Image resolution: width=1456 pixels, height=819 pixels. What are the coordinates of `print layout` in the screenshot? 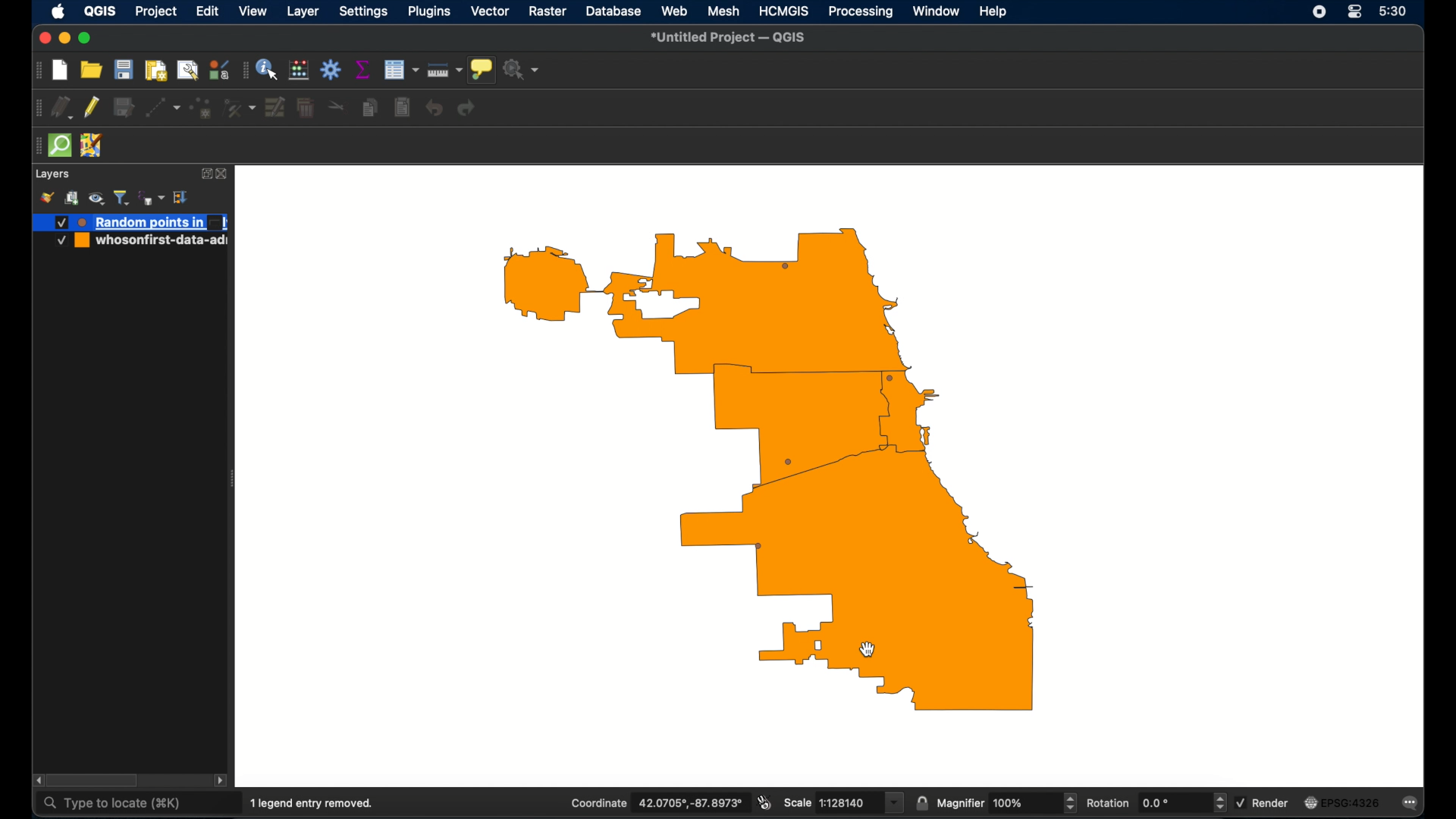 It's located at (155, 70).